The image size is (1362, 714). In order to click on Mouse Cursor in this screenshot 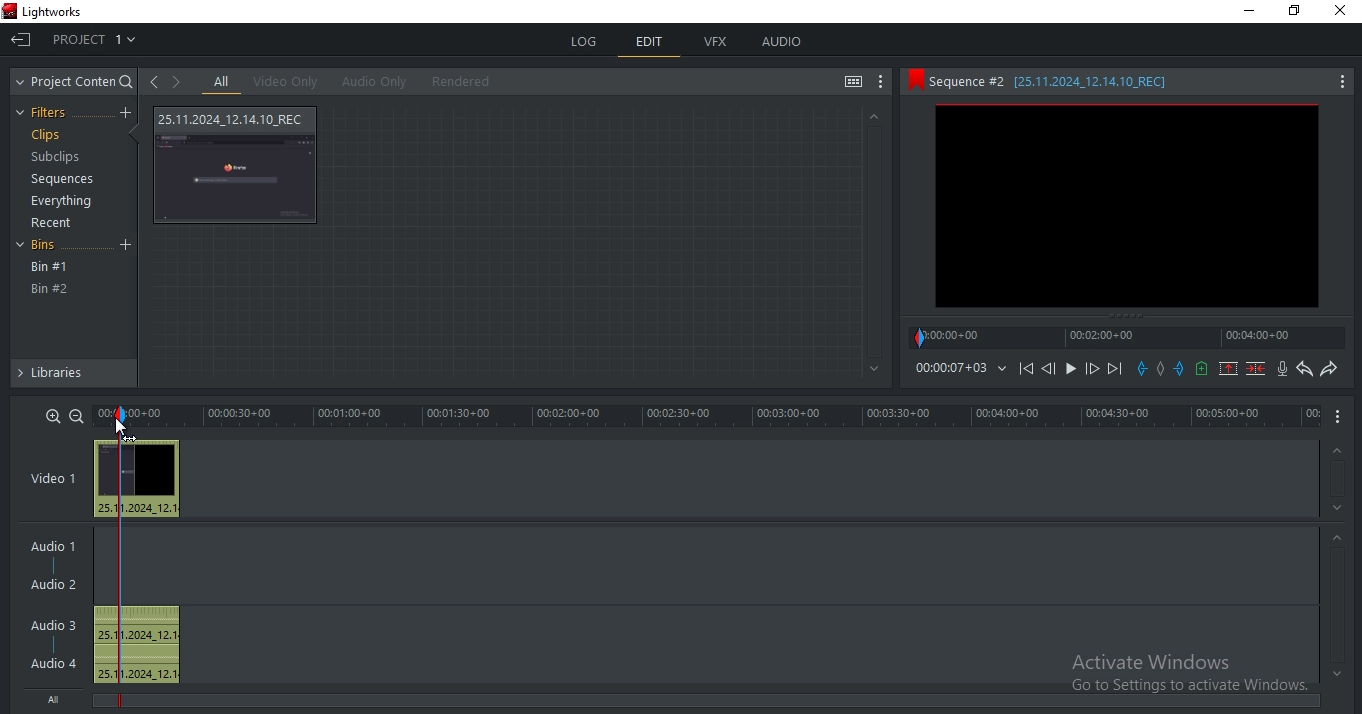, I will do `click(121, 430)`.